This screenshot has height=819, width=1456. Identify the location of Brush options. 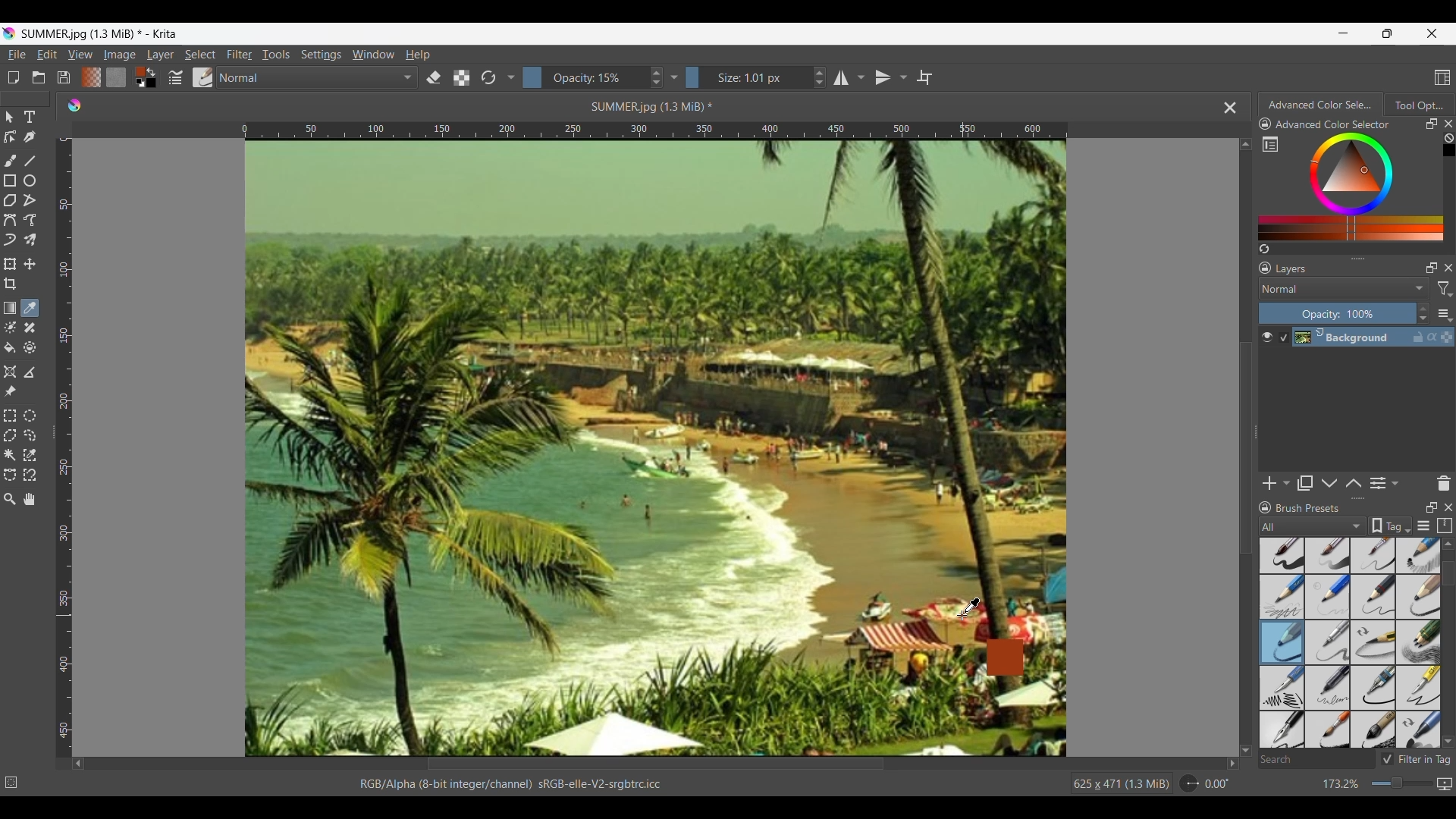
(1350, 643).